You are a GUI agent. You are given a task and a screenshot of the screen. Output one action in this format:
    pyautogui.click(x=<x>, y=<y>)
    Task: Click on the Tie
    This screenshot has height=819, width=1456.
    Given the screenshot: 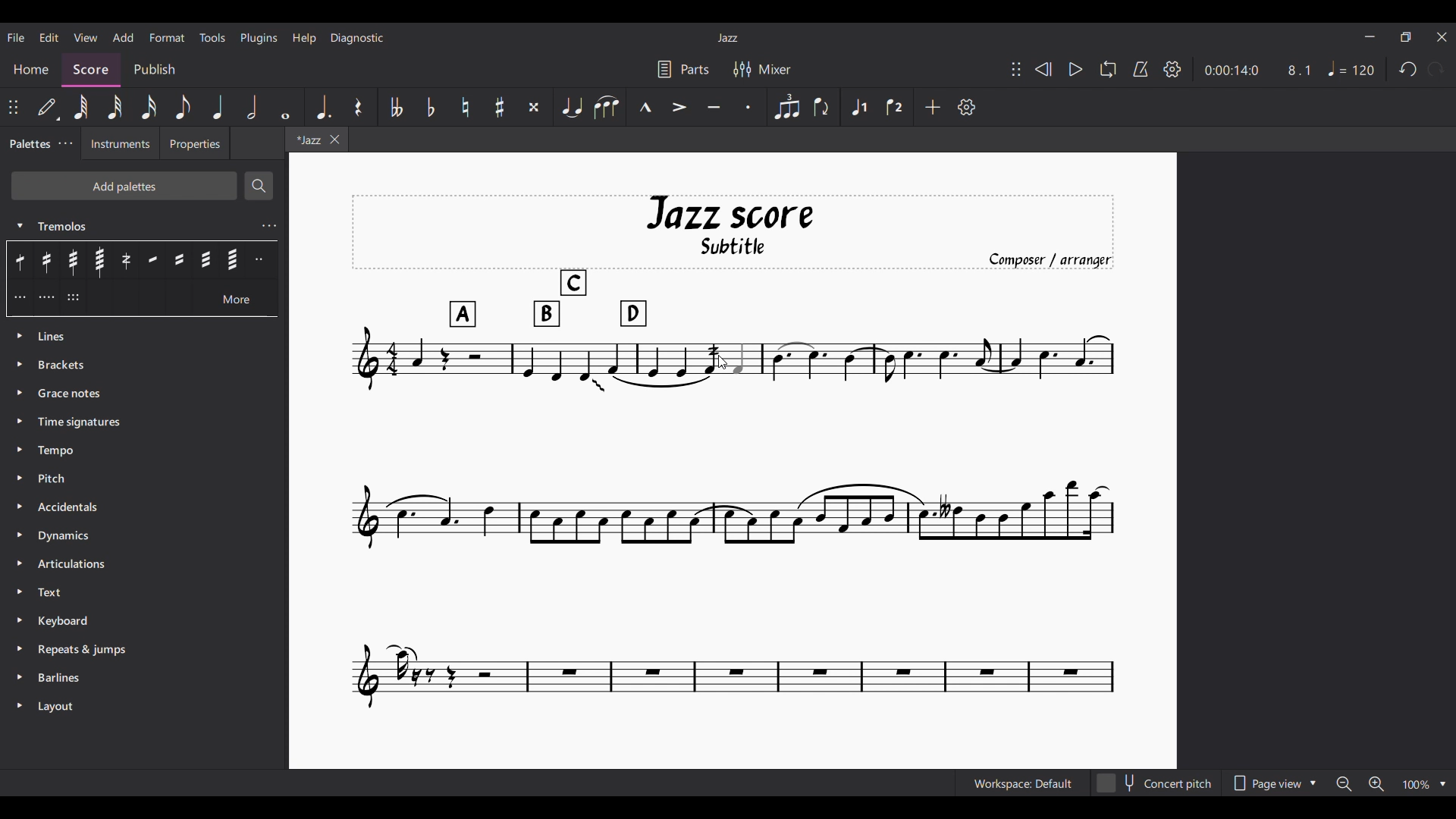 What is the action you would take?
    pyautogui.click(x=572, y=106)
    